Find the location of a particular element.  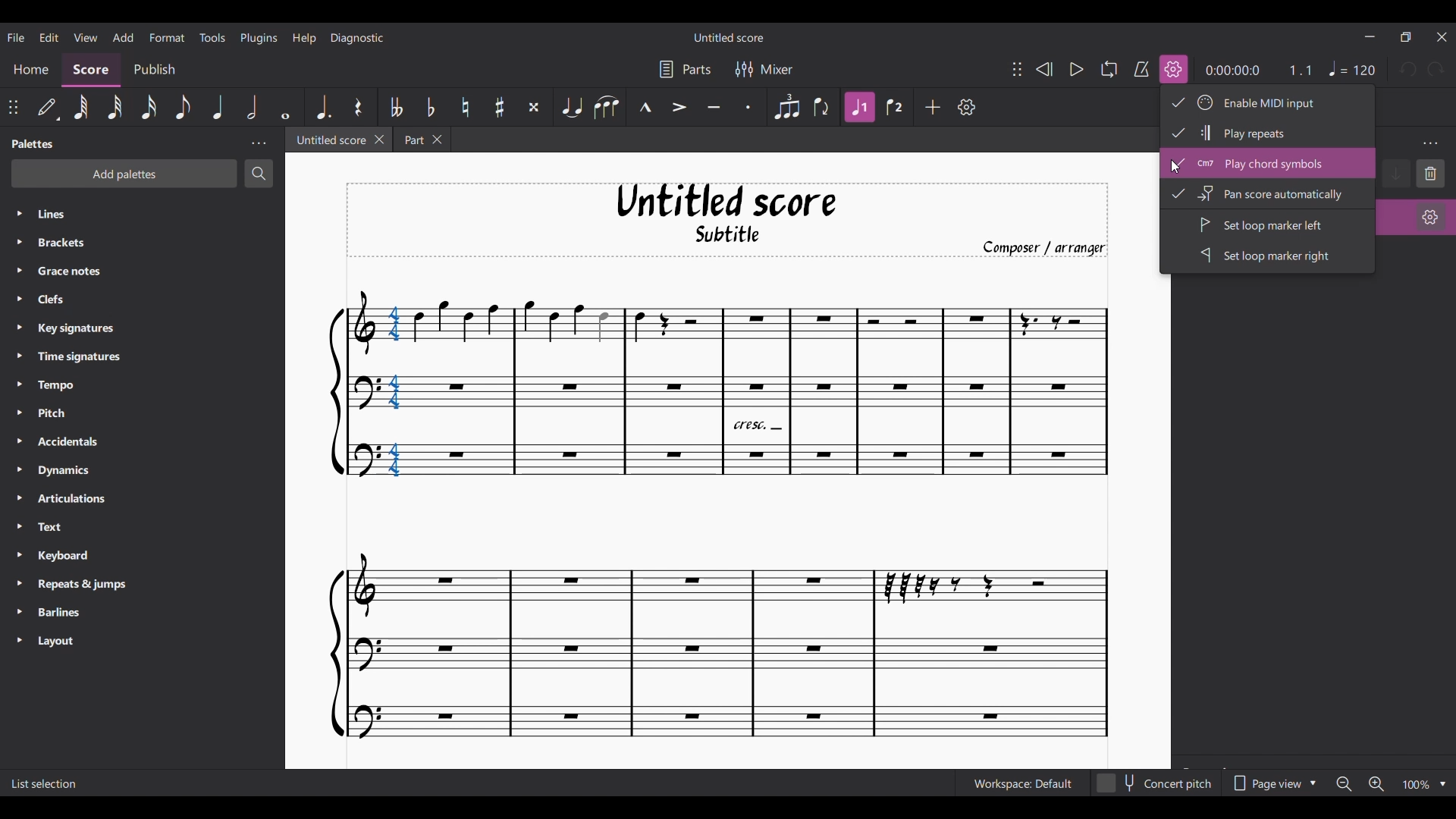

metronome is located at coordinates (1140, 71).